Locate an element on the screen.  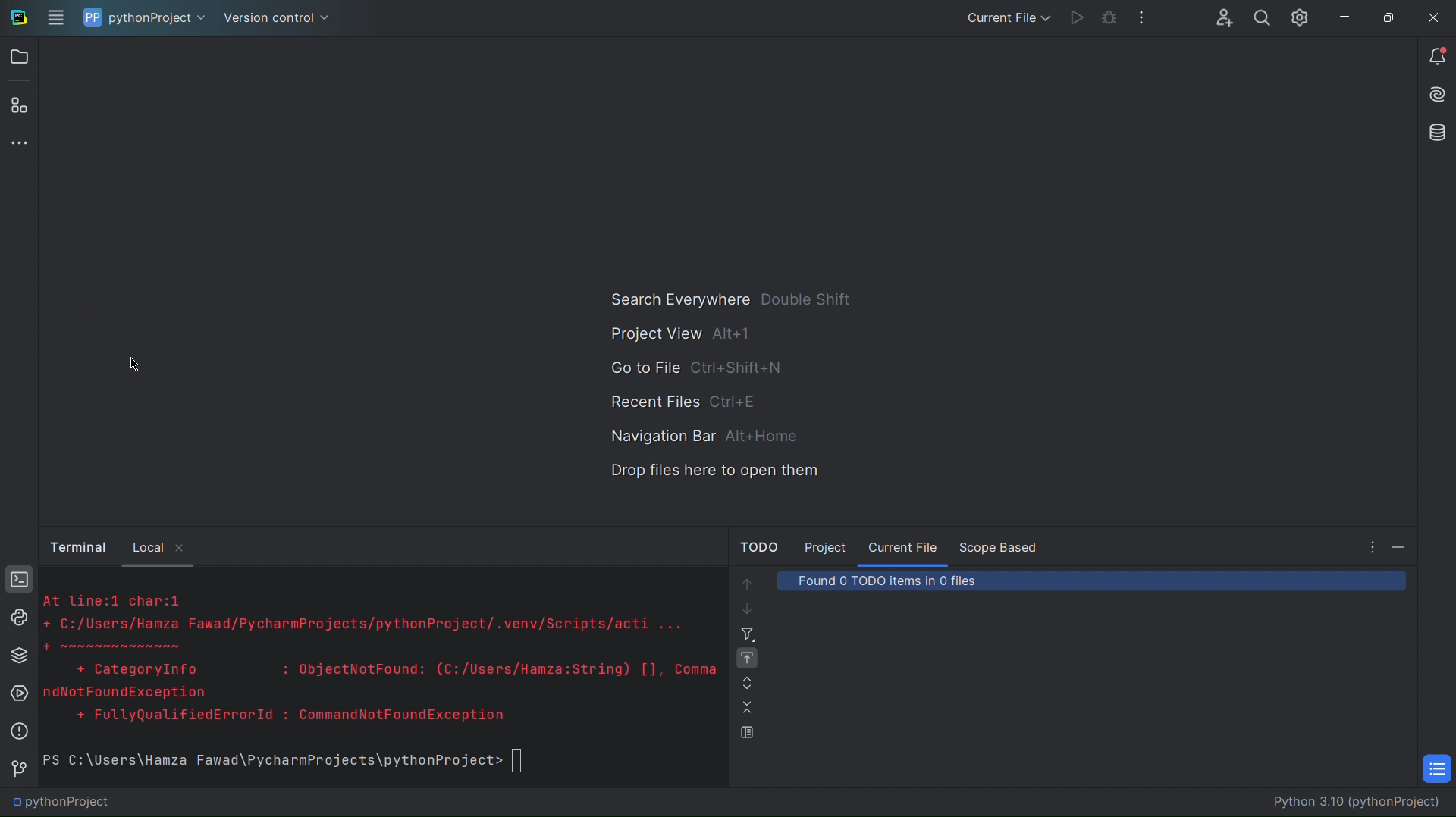
Structure is located at coordinates (21, 104).